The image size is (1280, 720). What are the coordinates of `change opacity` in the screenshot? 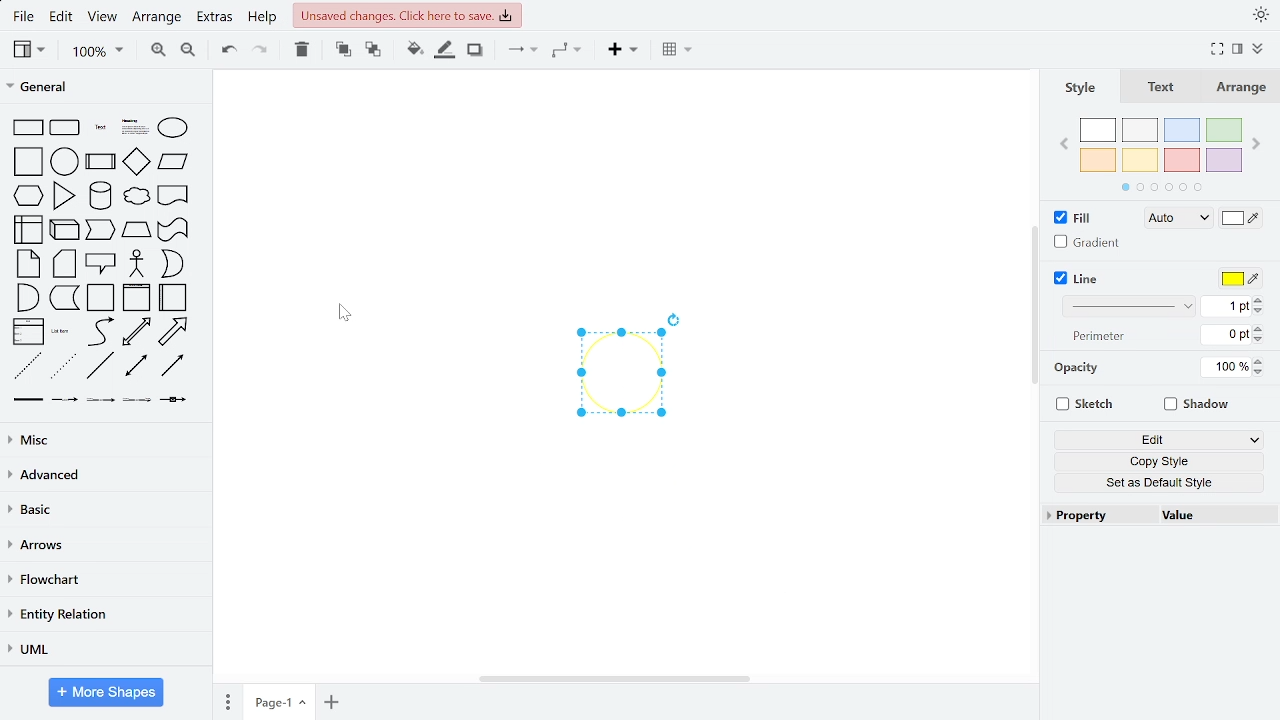 It's located at (1227, 366).